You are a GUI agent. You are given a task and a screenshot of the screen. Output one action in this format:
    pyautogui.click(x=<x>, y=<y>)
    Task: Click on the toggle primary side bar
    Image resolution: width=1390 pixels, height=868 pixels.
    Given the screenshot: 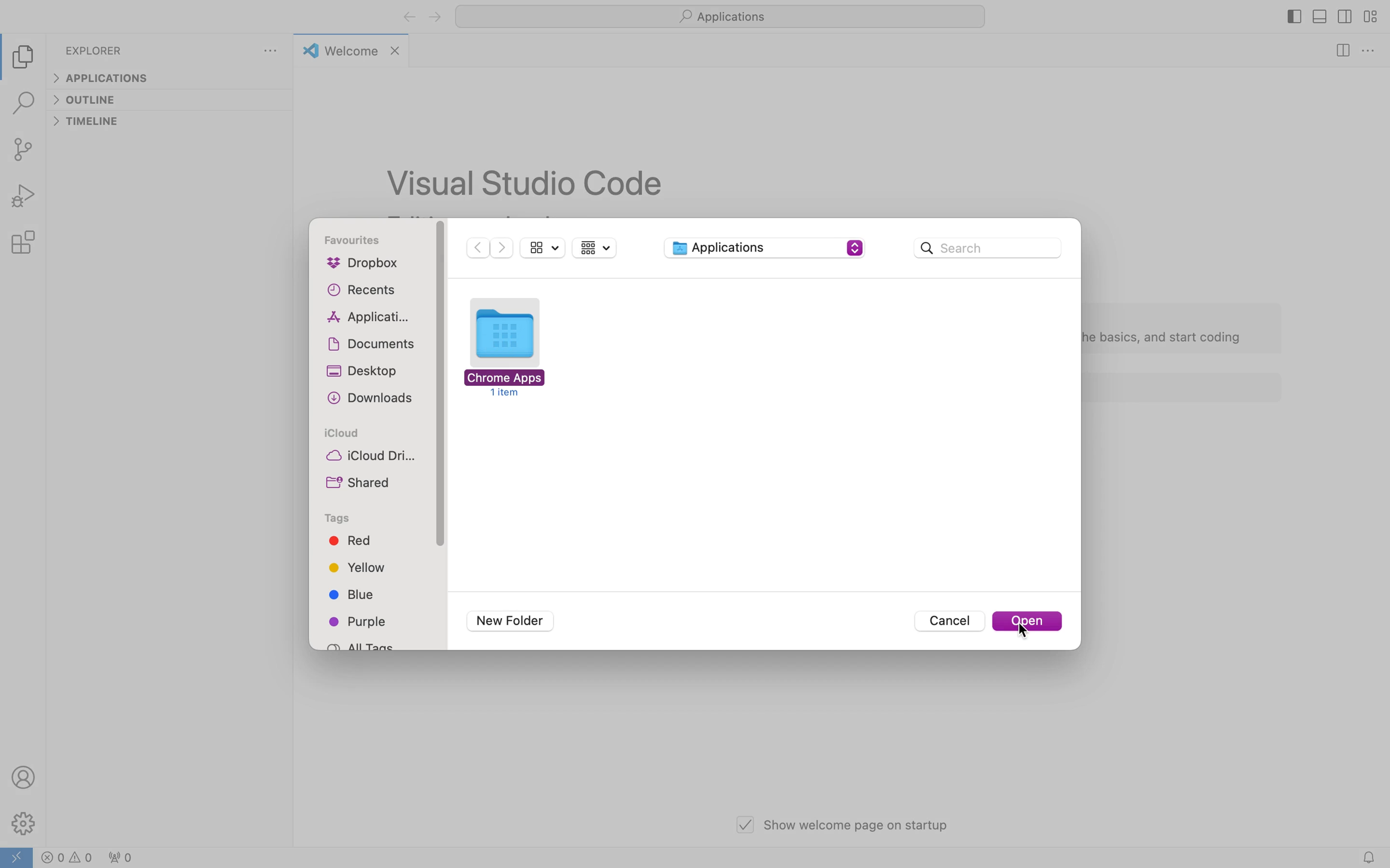 What is the action you would take?
    pyautogui.click(x=1295, y=18)
    